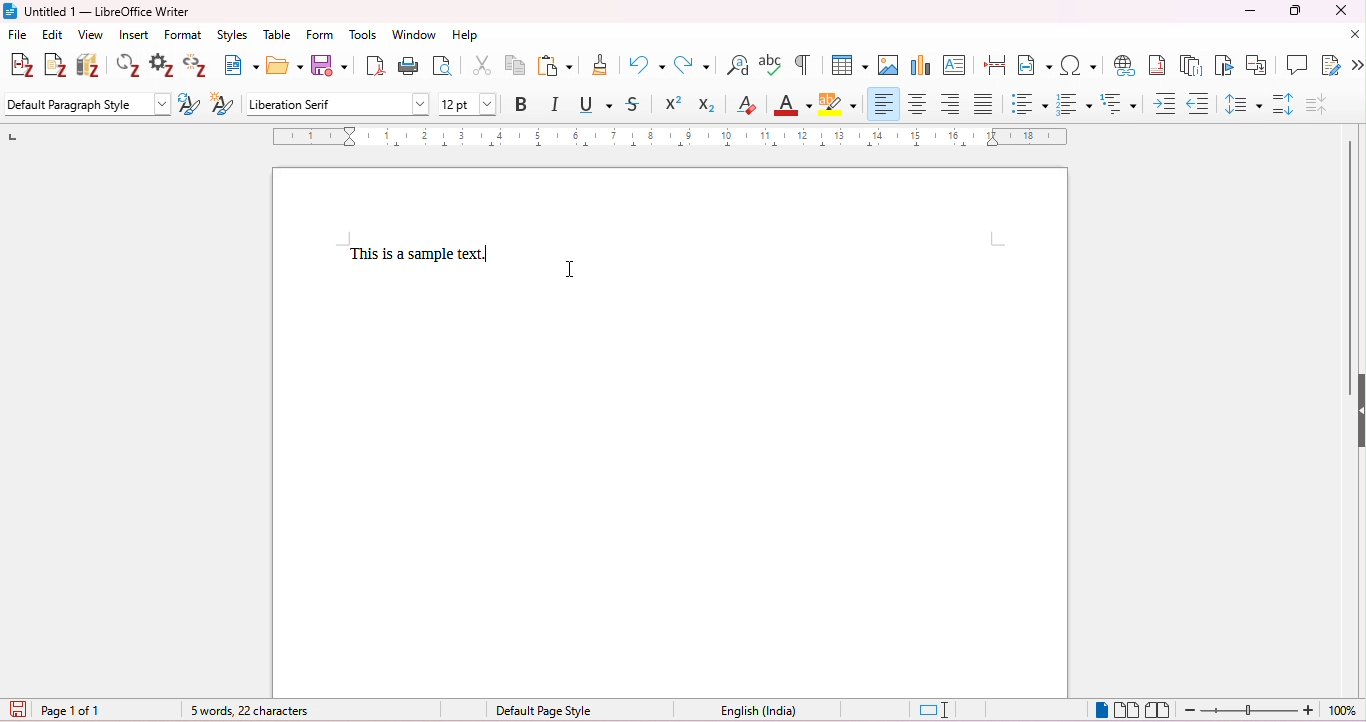 This screenshot has height=722, width=1366. What do you see at coordinates (1073, 104) in the screenshot?
I see `numbered` at bounding box center [1073, 104].